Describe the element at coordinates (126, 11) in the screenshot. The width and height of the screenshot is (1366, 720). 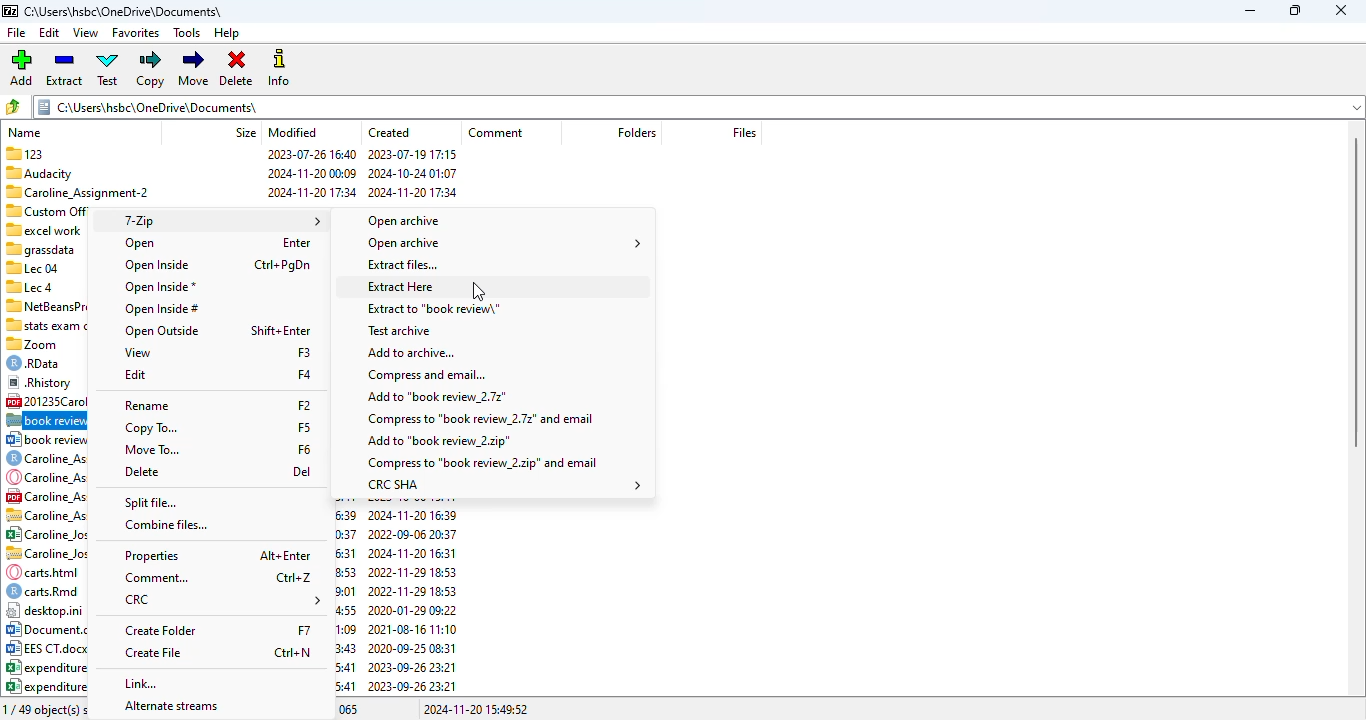
I see `folder` at that location.